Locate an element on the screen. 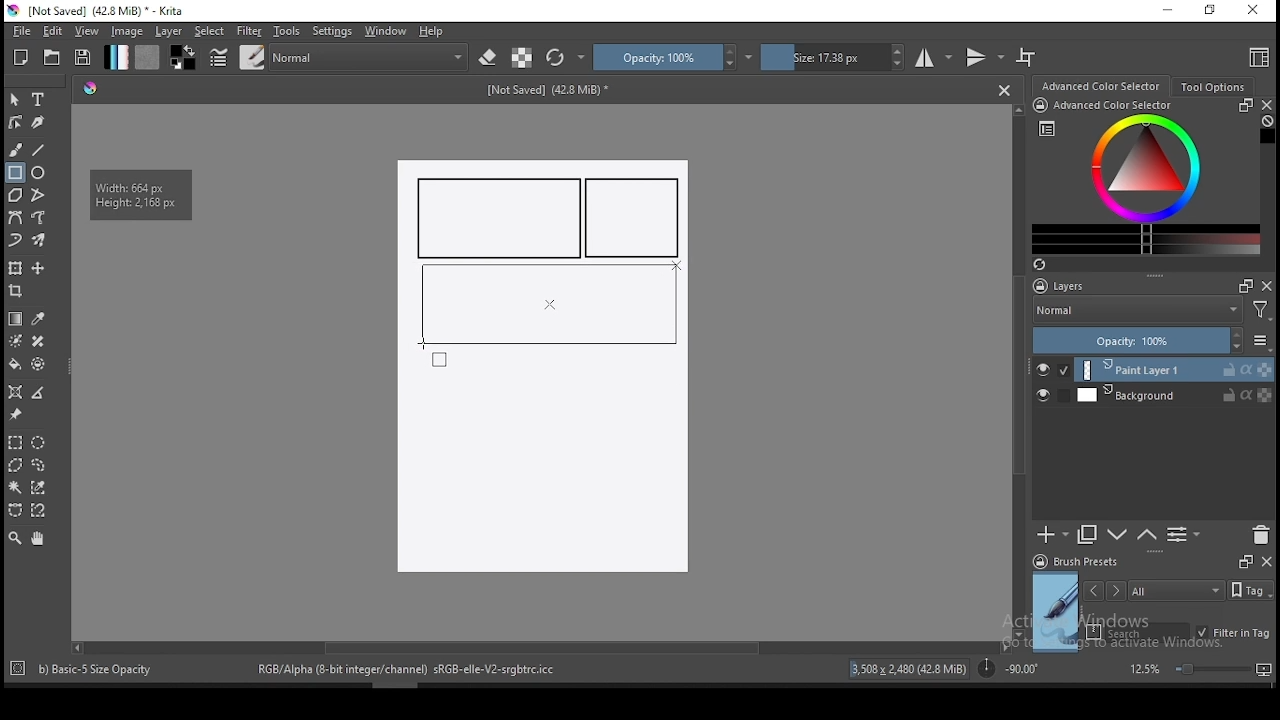 This screenshot has height=720, width=1280. Hue is located at coordinates (90, 88).